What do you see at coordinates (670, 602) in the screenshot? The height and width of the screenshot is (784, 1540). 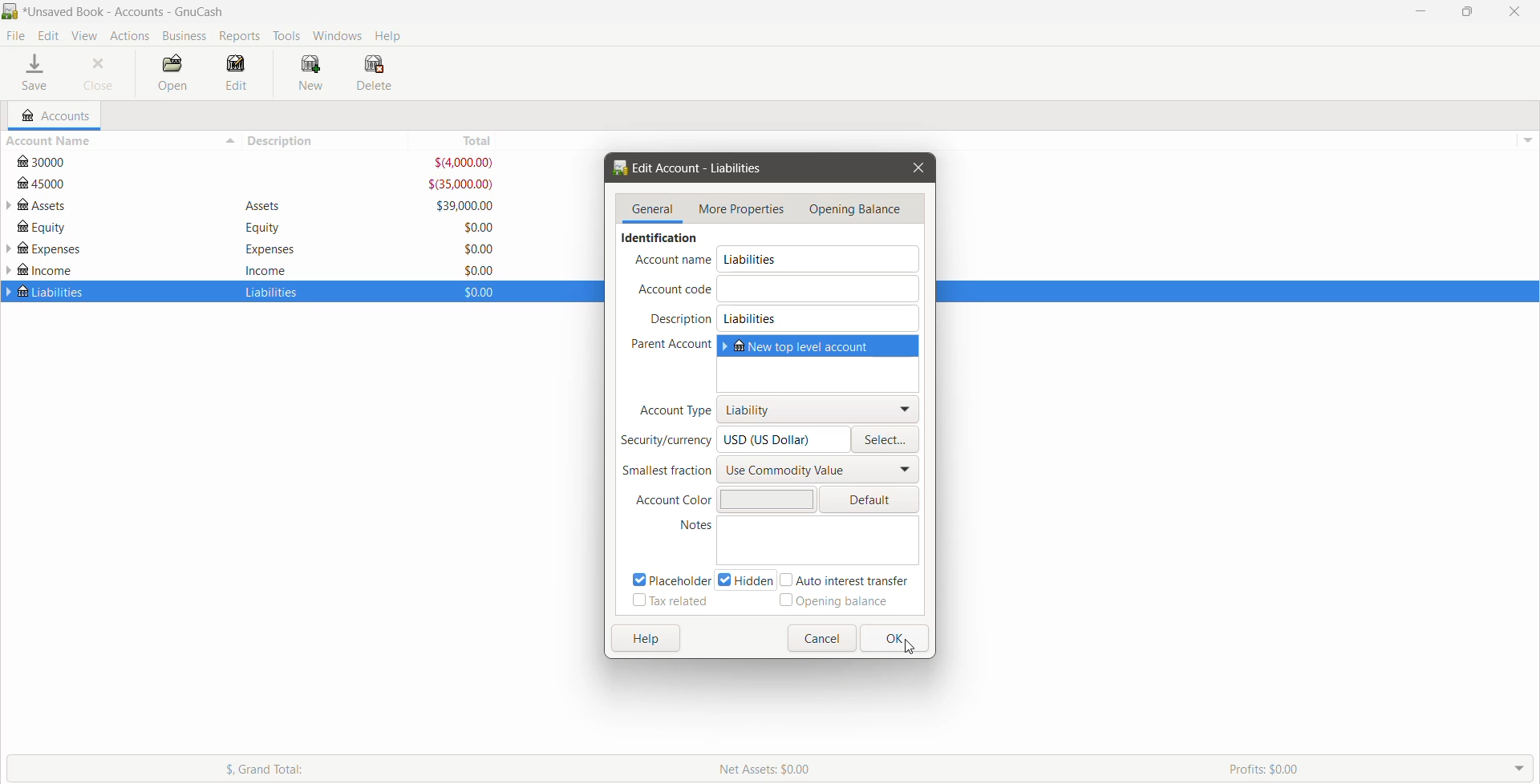 I see `Tax related - click to enable/disable` at bounding box center [670, 602].